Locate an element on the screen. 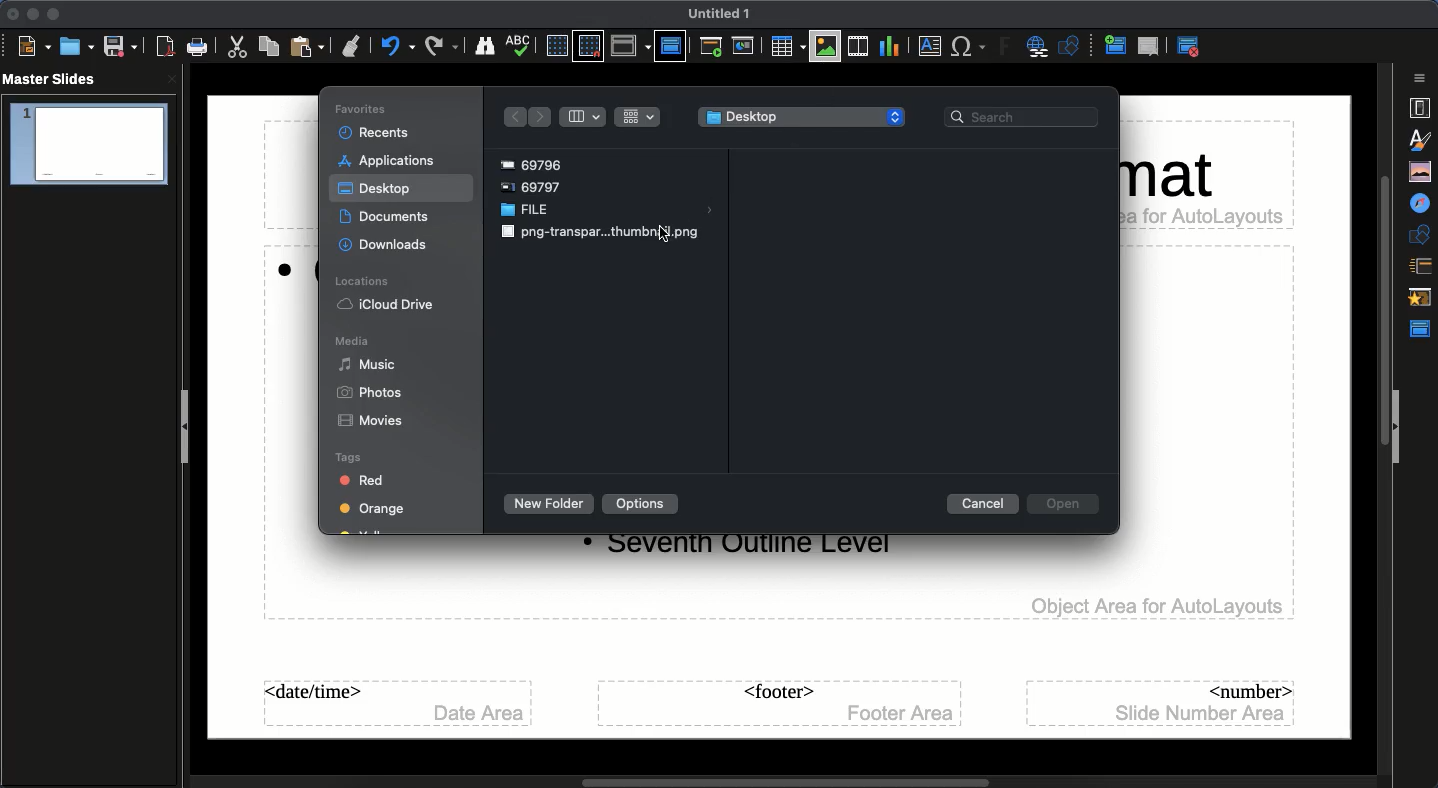 The height and width of the screenshot is (788, 1438). media is located at coordinates (354, 341).